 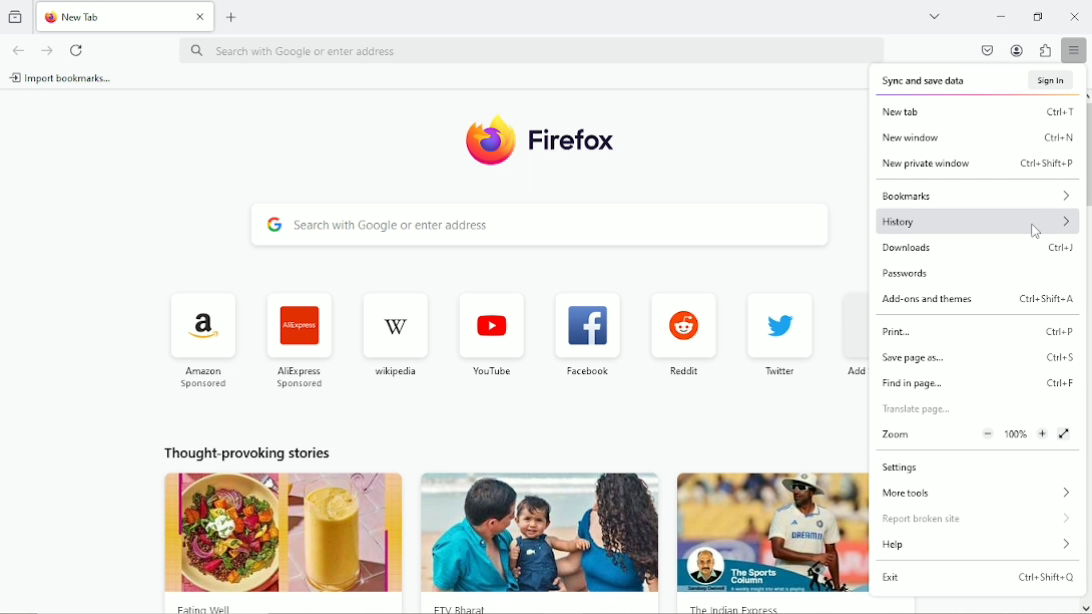 What do you see at coordinates (773, 327) in the screenshot?
I see `icon` at bounding box center [773, 327].